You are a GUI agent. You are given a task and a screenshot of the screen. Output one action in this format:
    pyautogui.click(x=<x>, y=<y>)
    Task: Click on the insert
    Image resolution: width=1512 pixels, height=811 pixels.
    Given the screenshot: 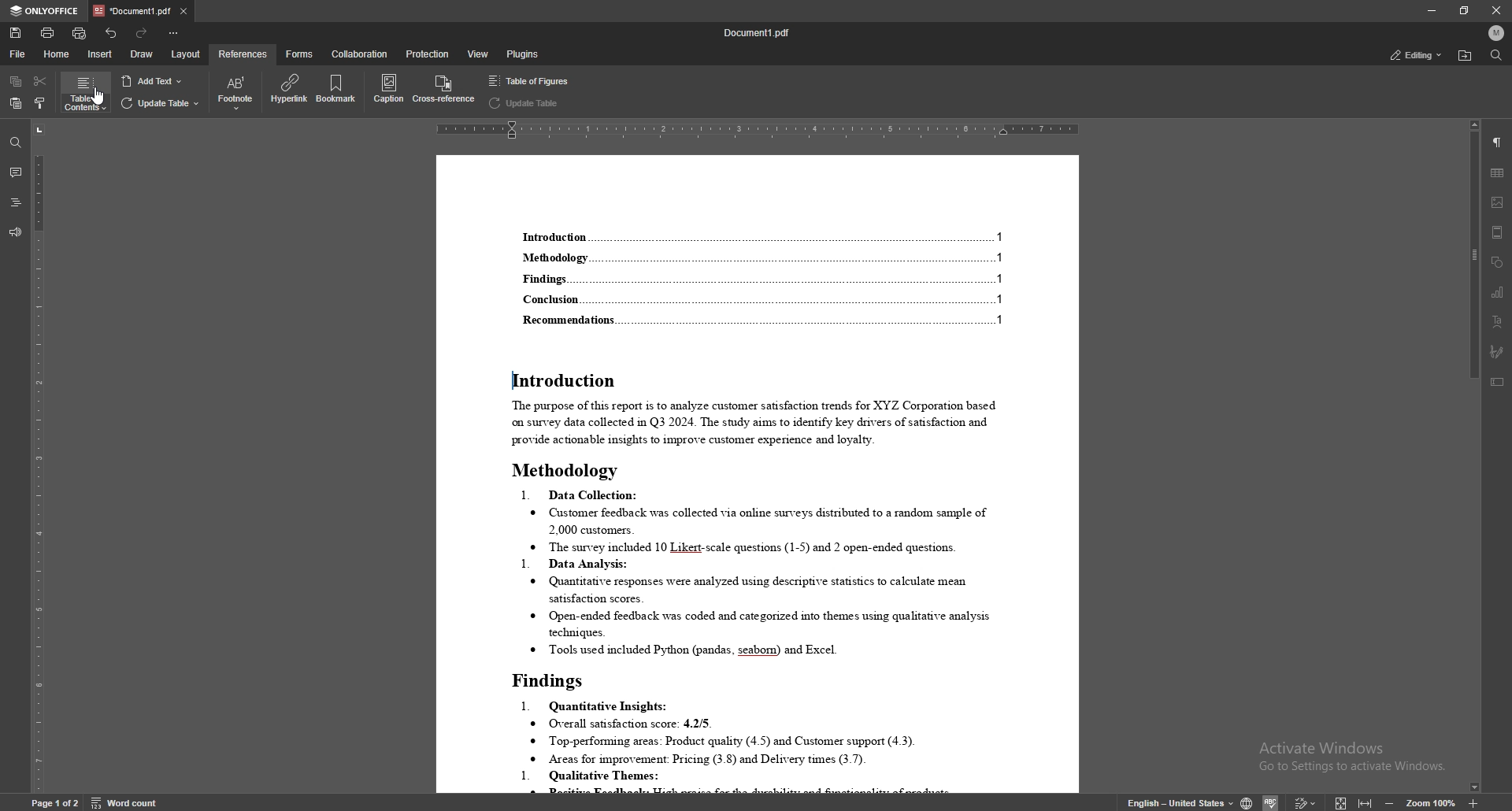 What is the action you would take?
    pyautogui.click(x=100, y=55)
    